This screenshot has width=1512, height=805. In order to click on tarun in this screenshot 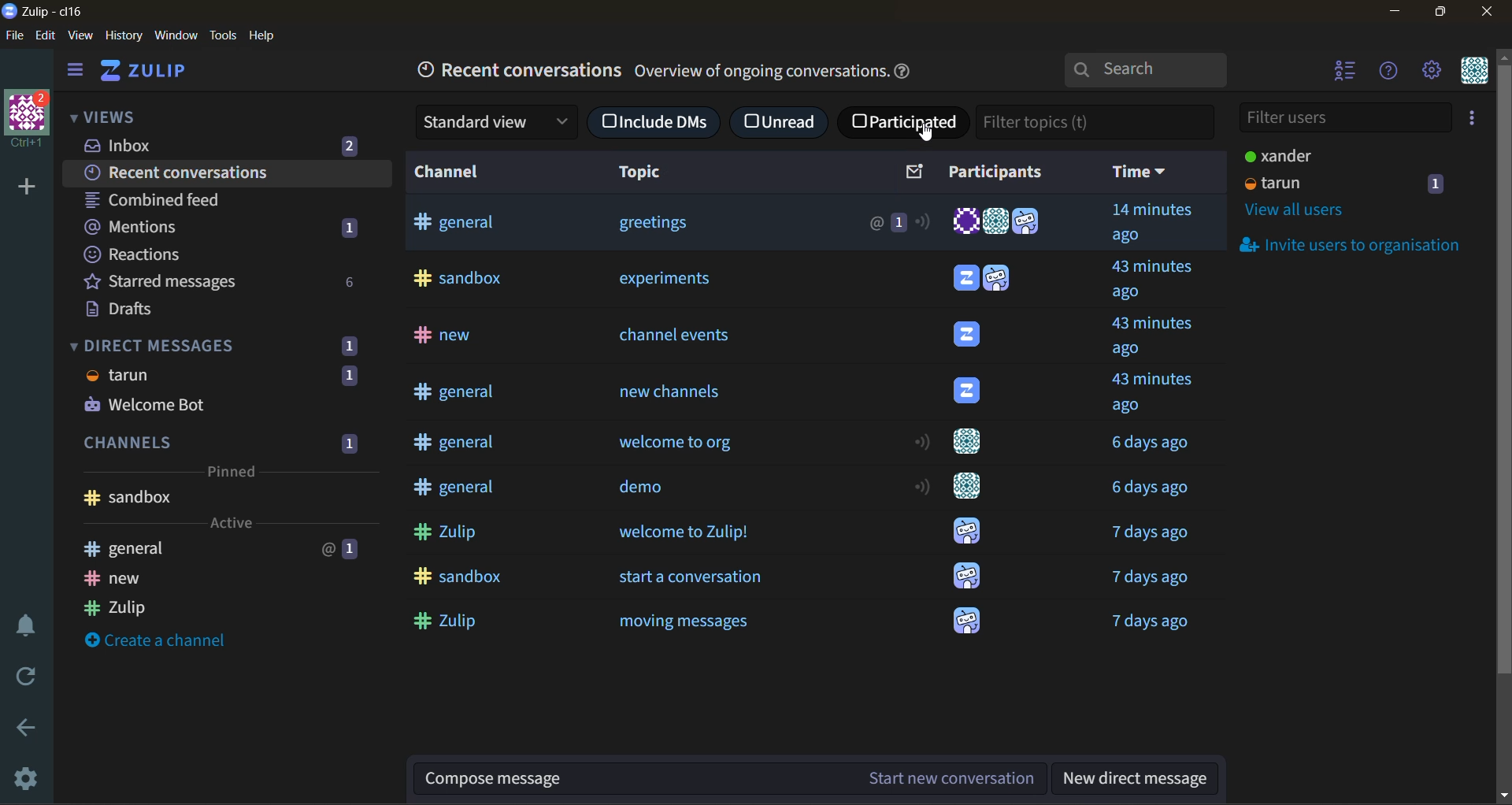, I will do `click(222, 377)`.